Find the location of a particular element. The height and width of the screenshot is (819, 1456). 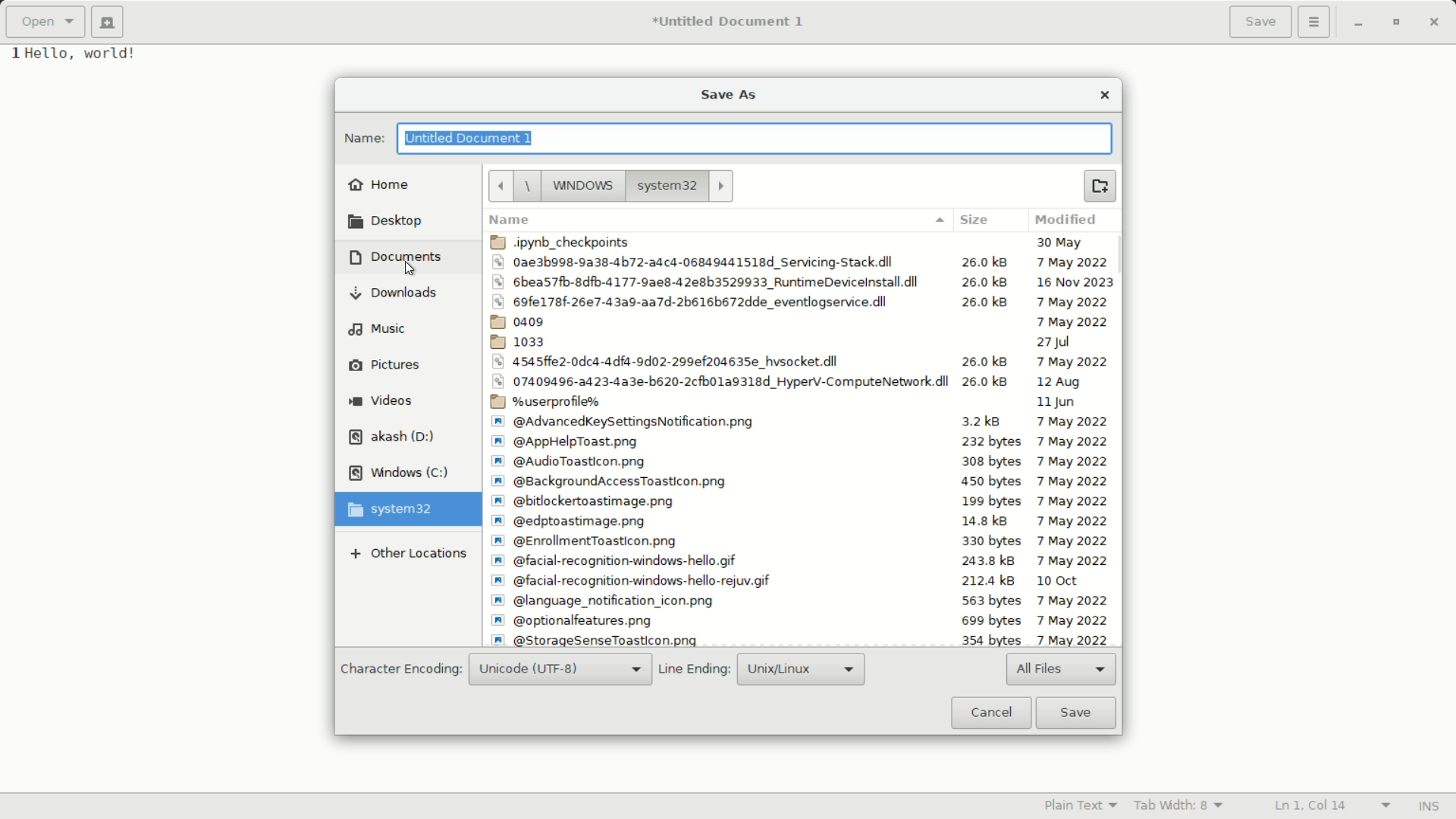

modified is located at coordinates (1069, 221).